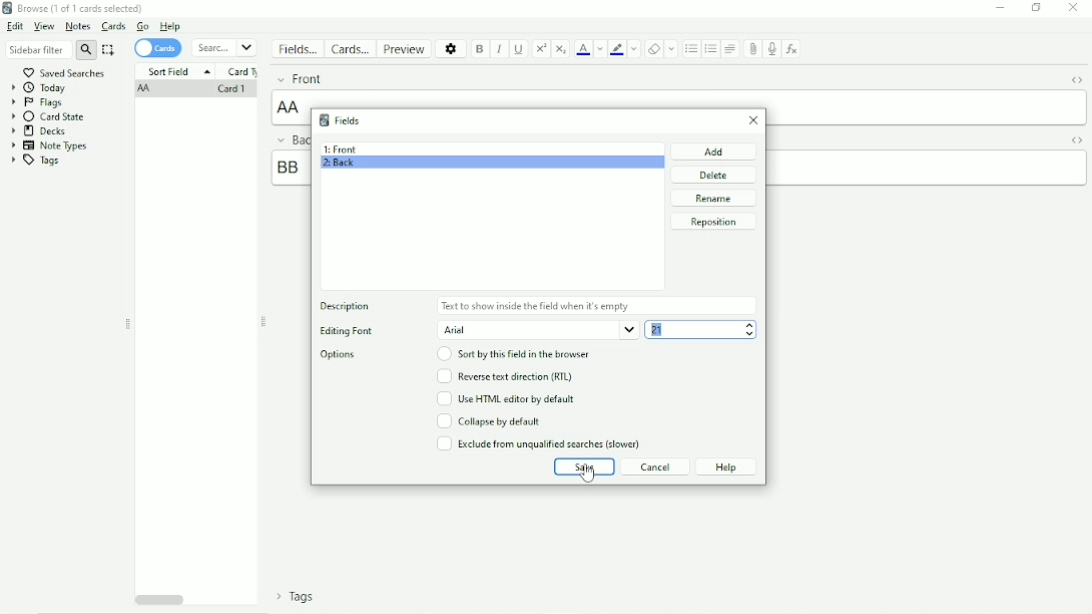  I want to click on Remove formatting, so click(654, 49).